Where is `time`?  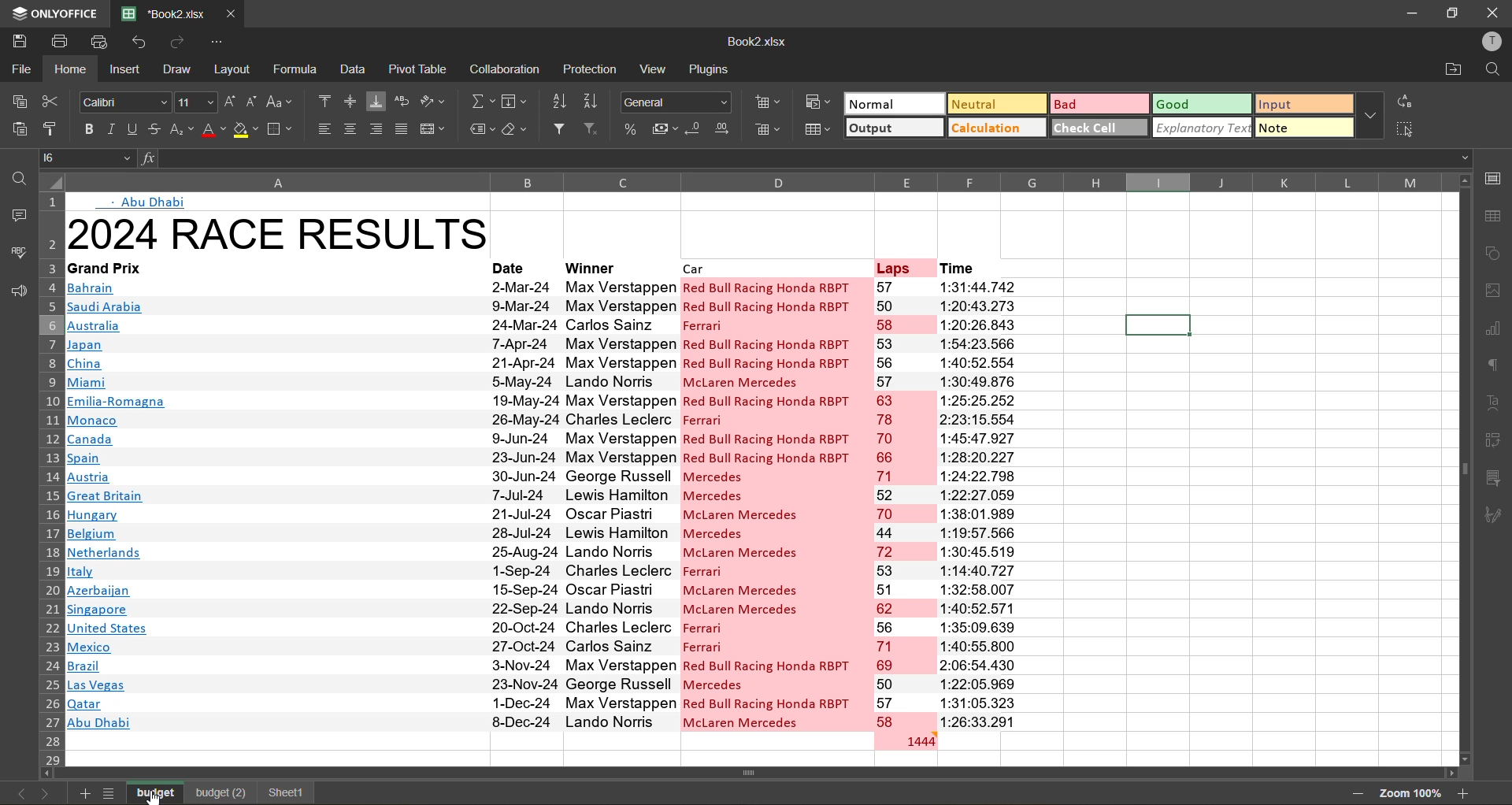 time is located at coordinates (977, 267).